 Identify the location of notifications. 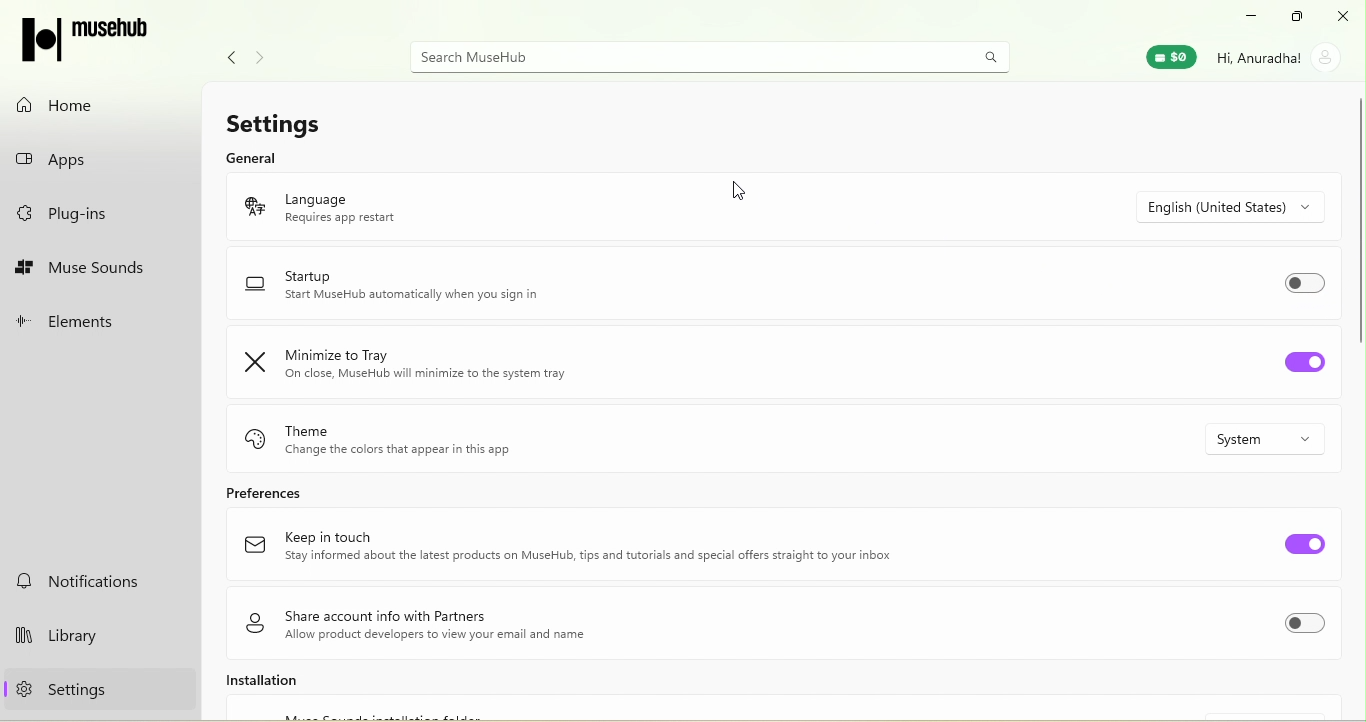
(88, 581).